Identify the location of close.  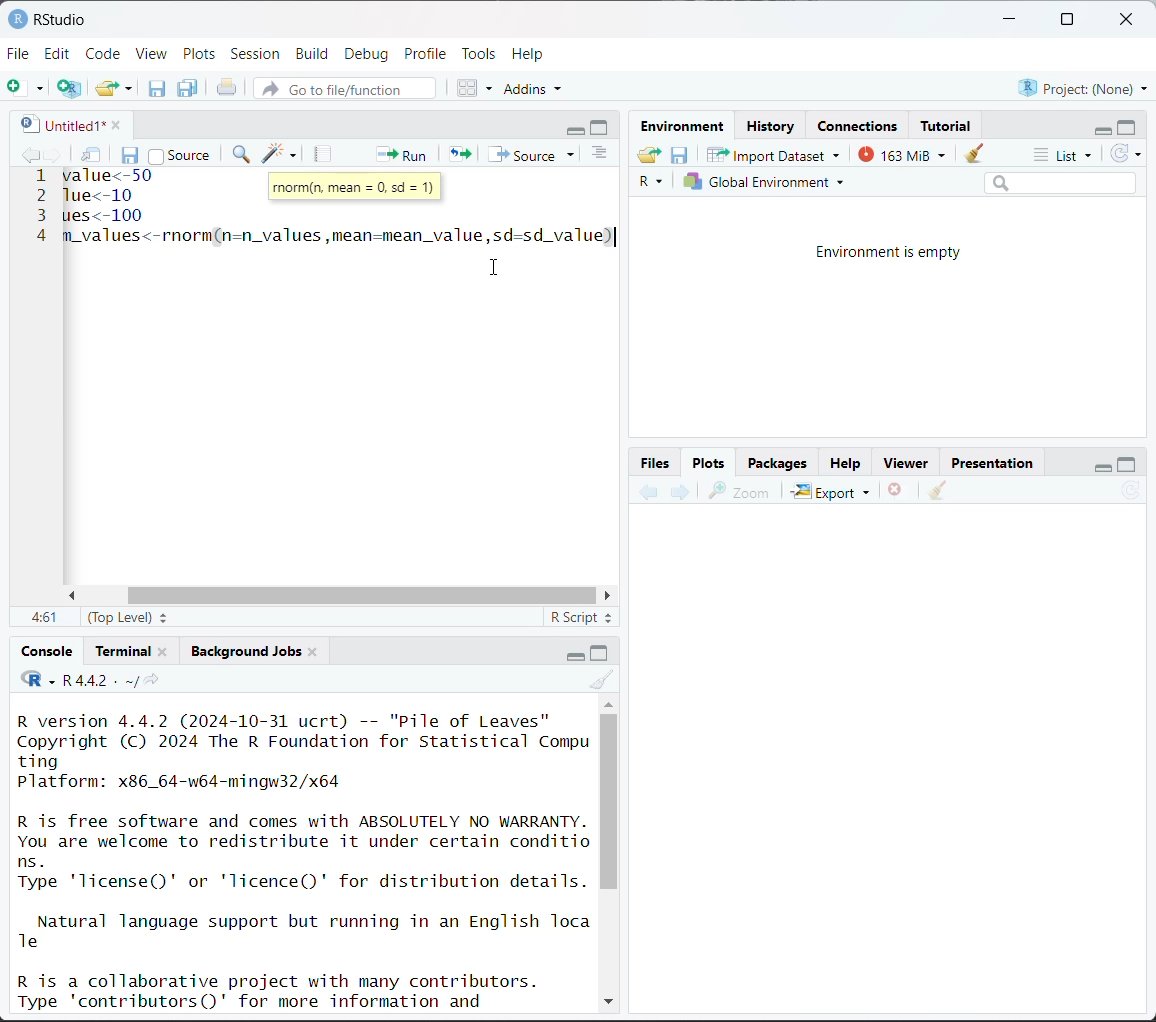
(163, 650).